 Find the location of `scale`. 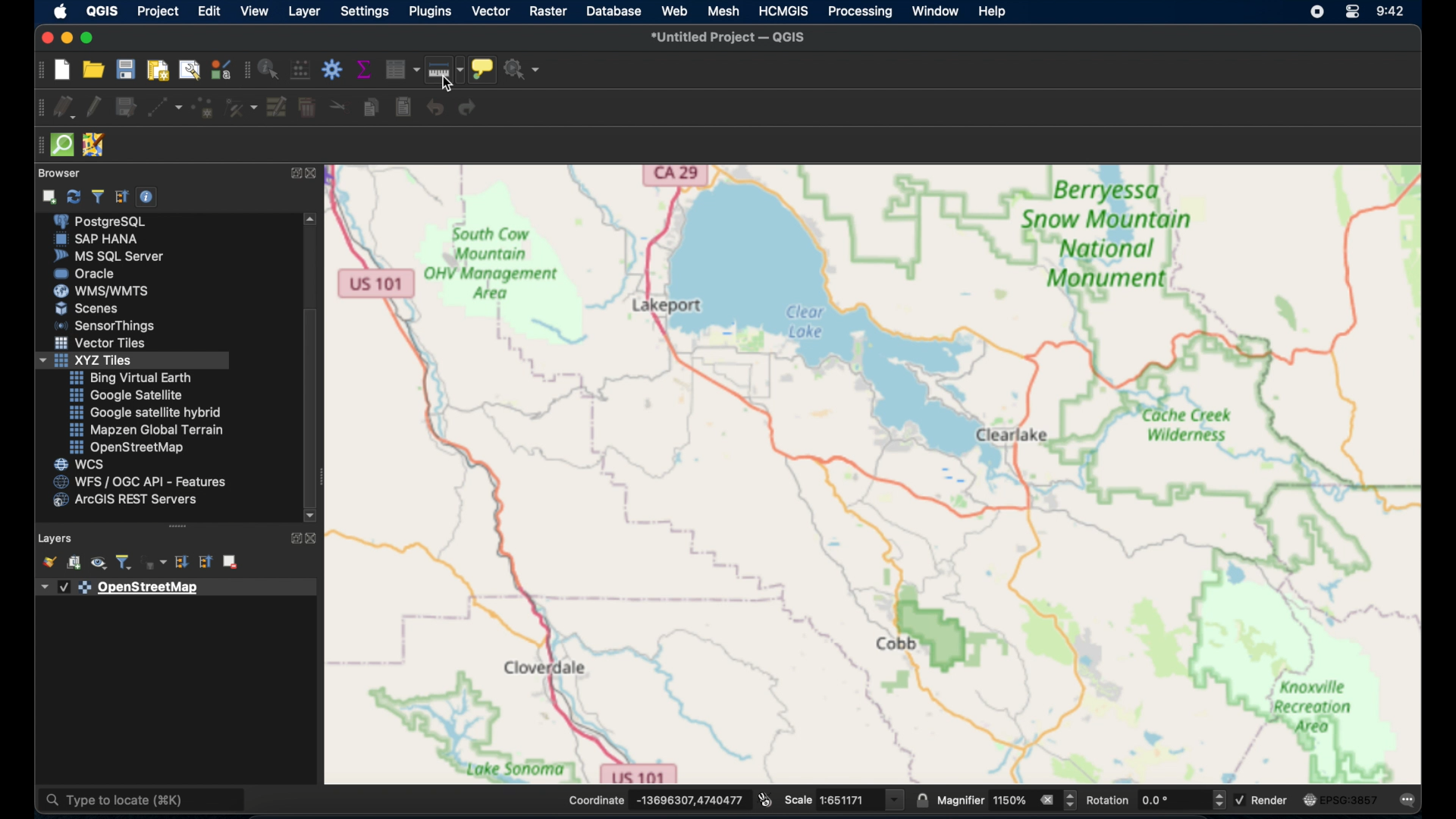

scale is located at coordinates (845, 799).